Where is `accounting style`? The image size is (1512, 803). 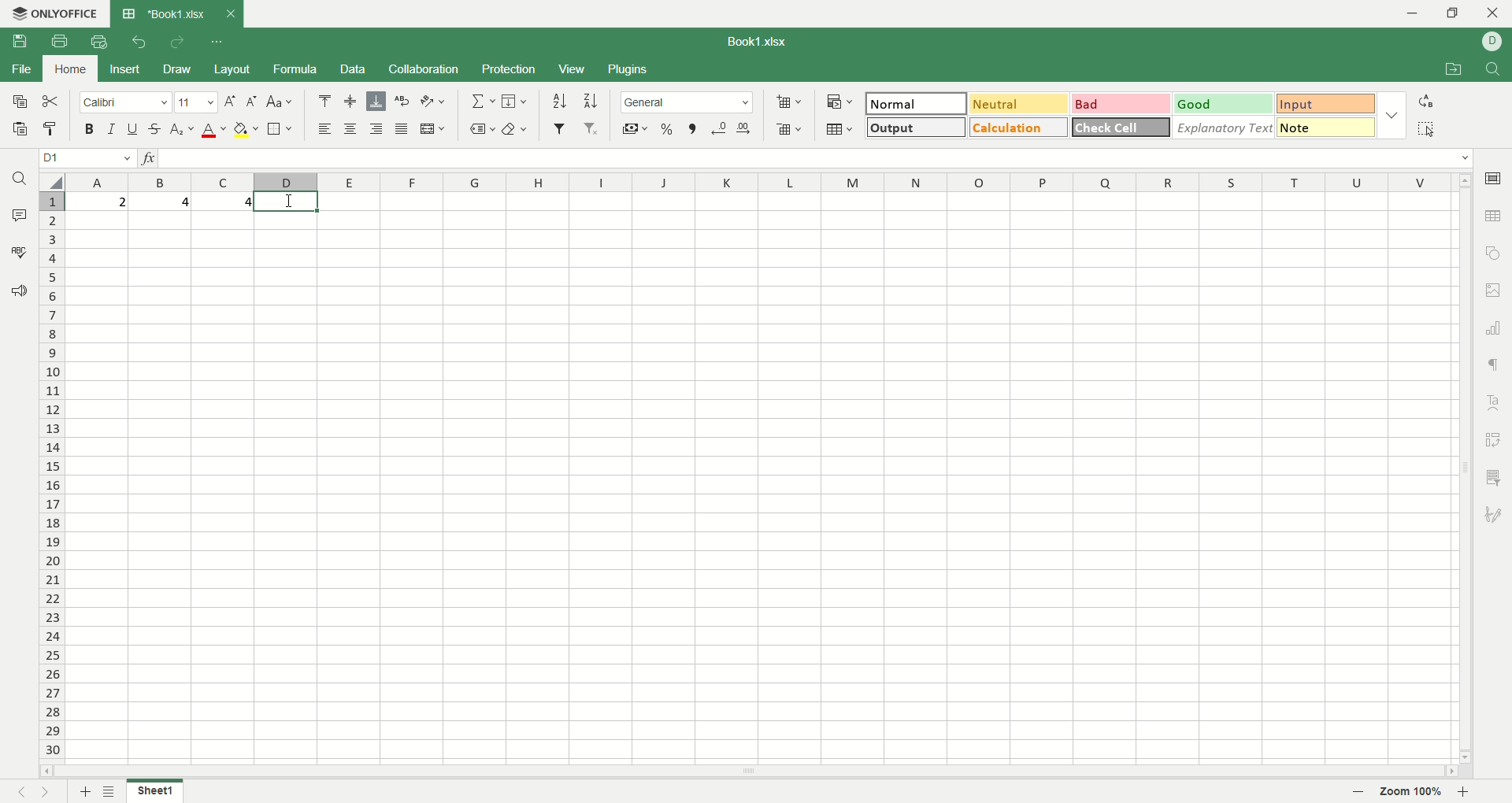
accounting style is located at coordinates (631, 128).